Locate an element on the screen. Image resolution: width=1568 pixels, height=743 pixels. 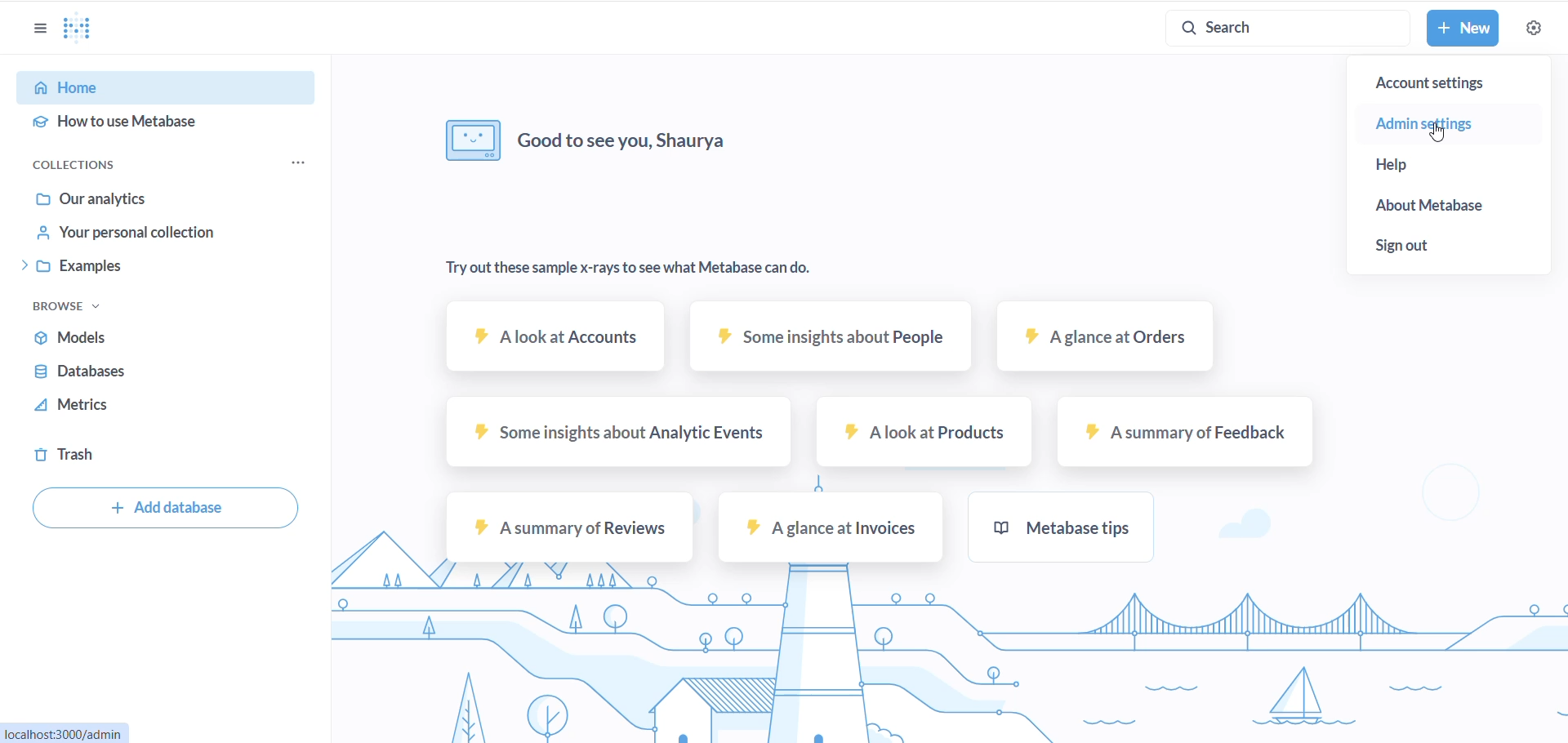
ADD DATABASE is located at coordinates (167, 507).